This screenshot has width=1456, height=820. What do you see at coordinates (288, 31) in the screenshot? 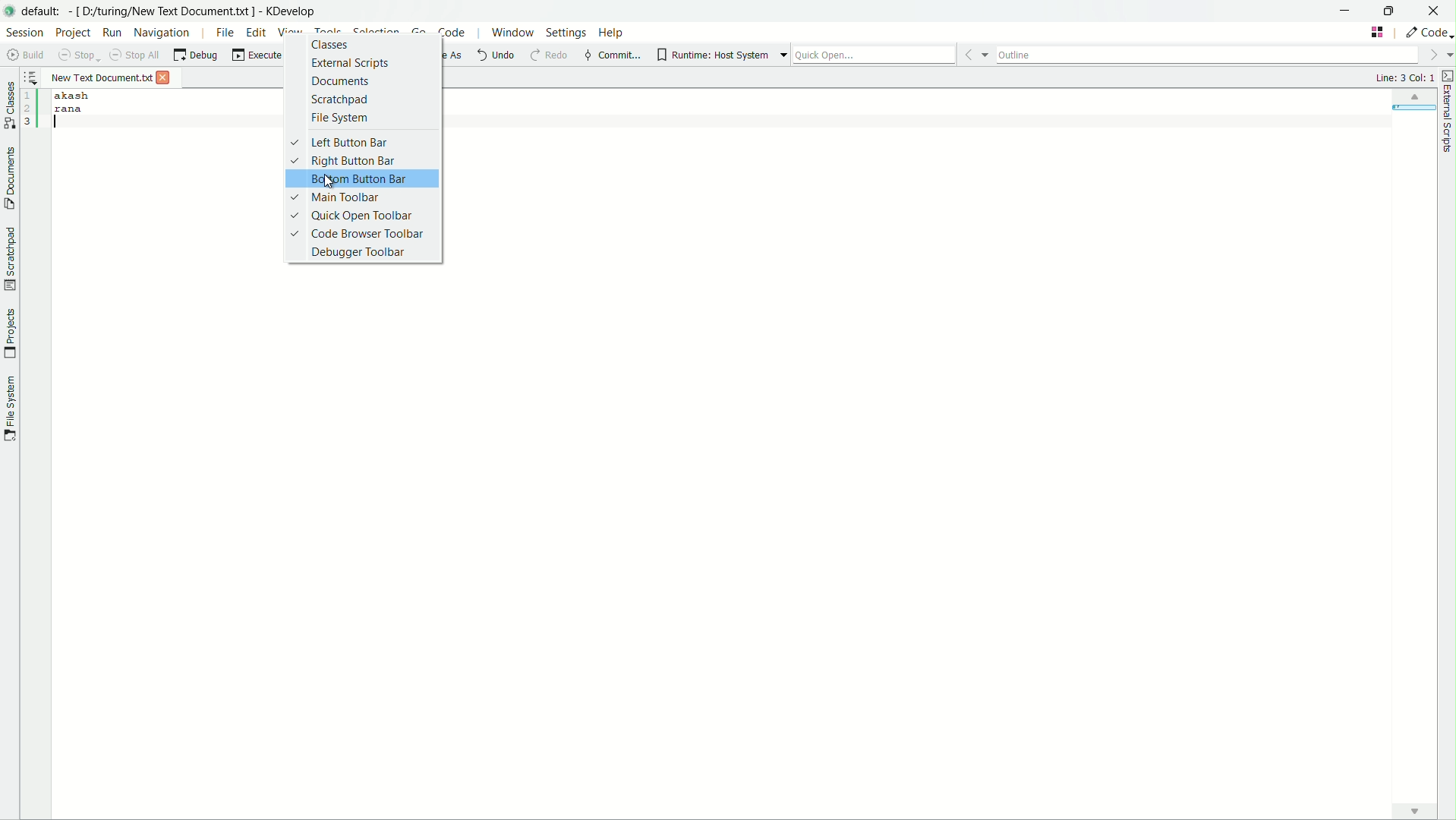
I see `view menu` at bounding box center [288, 31].